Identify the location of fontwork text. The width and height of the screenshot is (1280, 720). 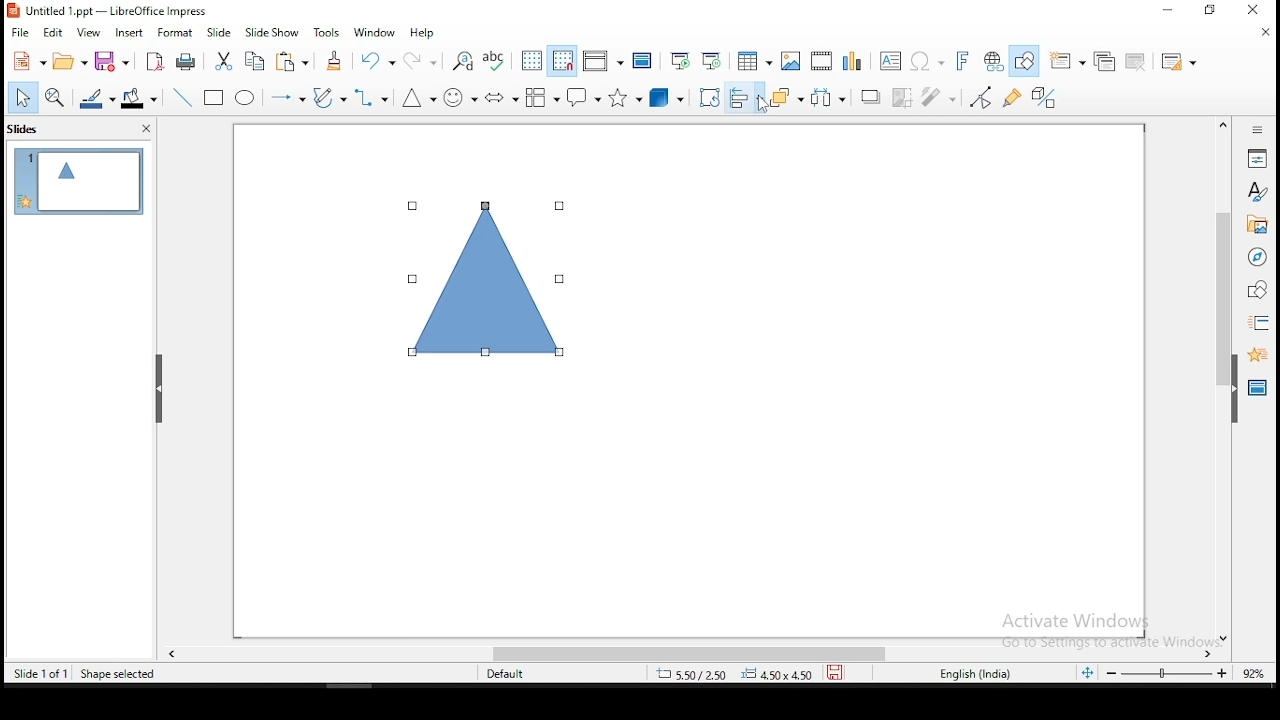
(956, 61).